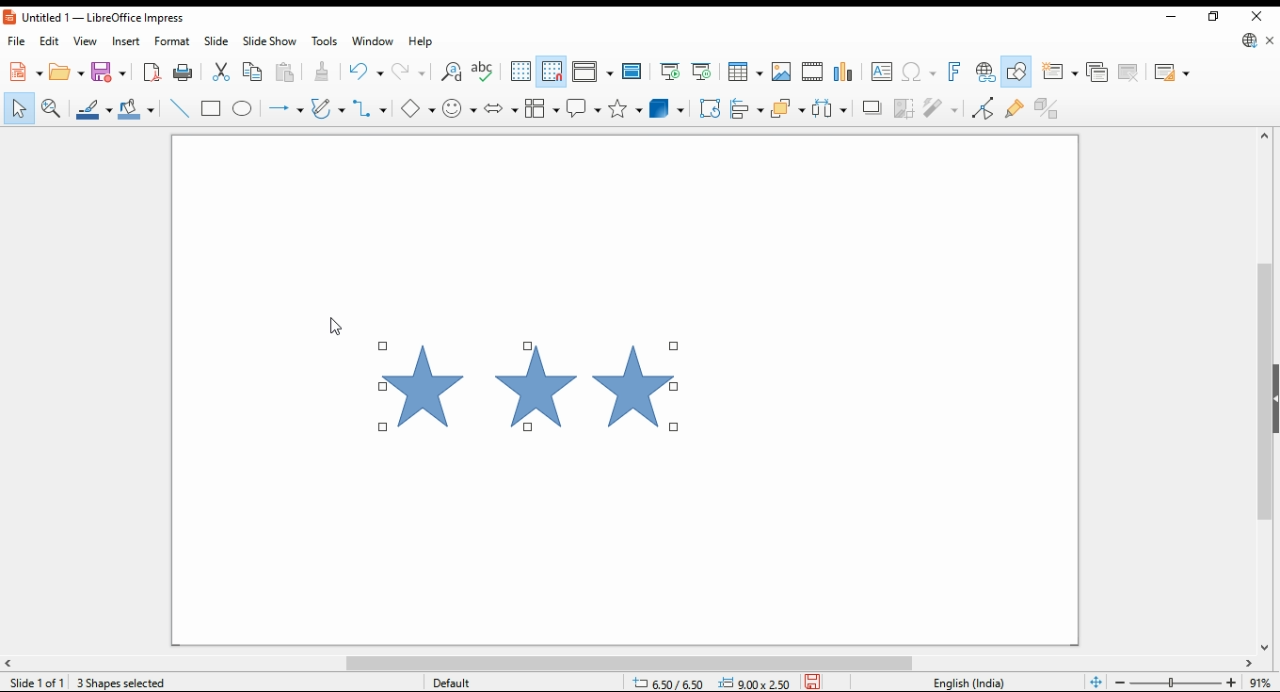 Image resolution: width=1280 pixels, height=692 pixels. Describe the element at coordinates (215, 41) in the screenshot. I see `slide` at that location.